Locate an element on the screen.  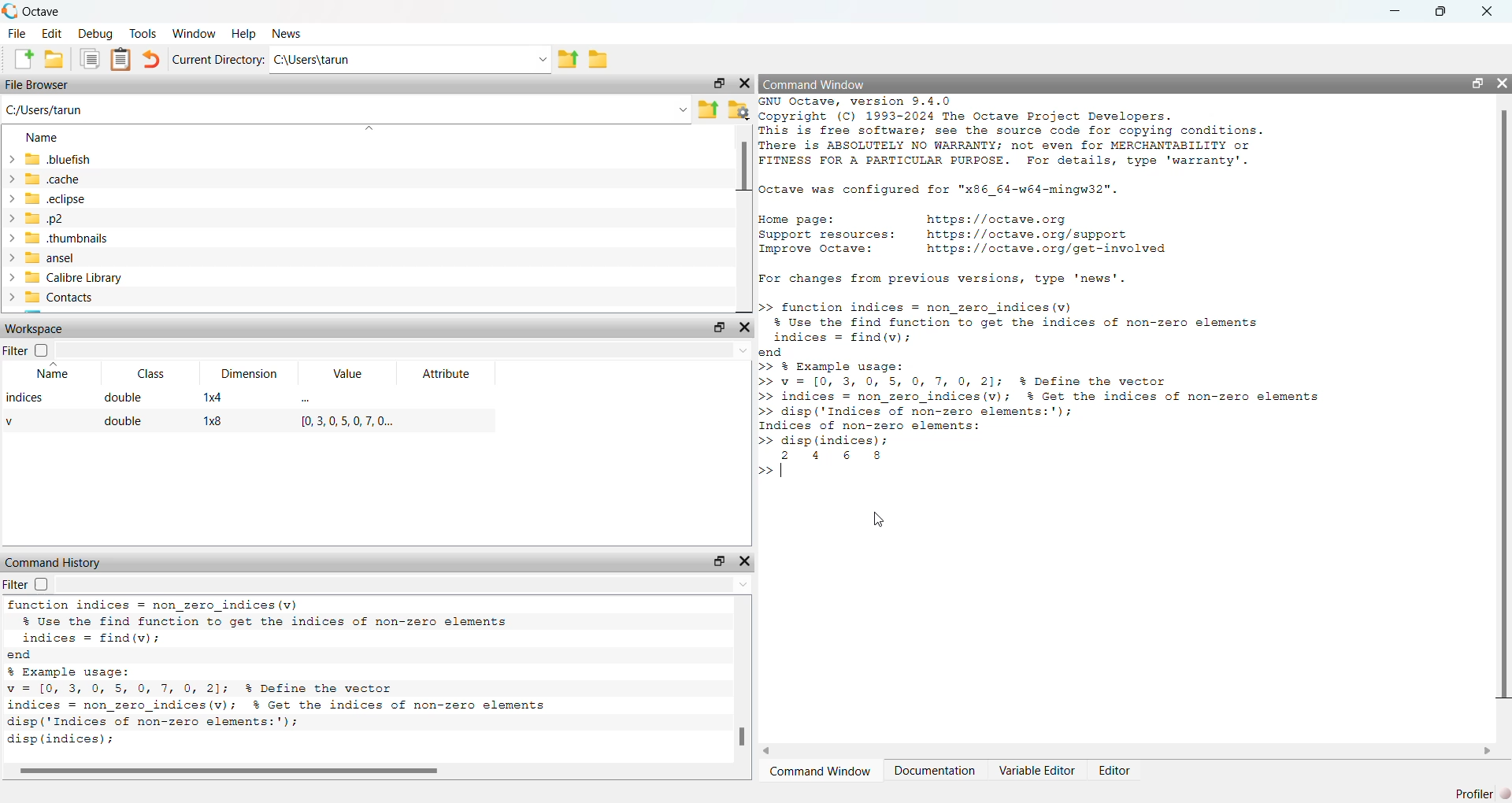
open folder is located at coordinates (58, 61).